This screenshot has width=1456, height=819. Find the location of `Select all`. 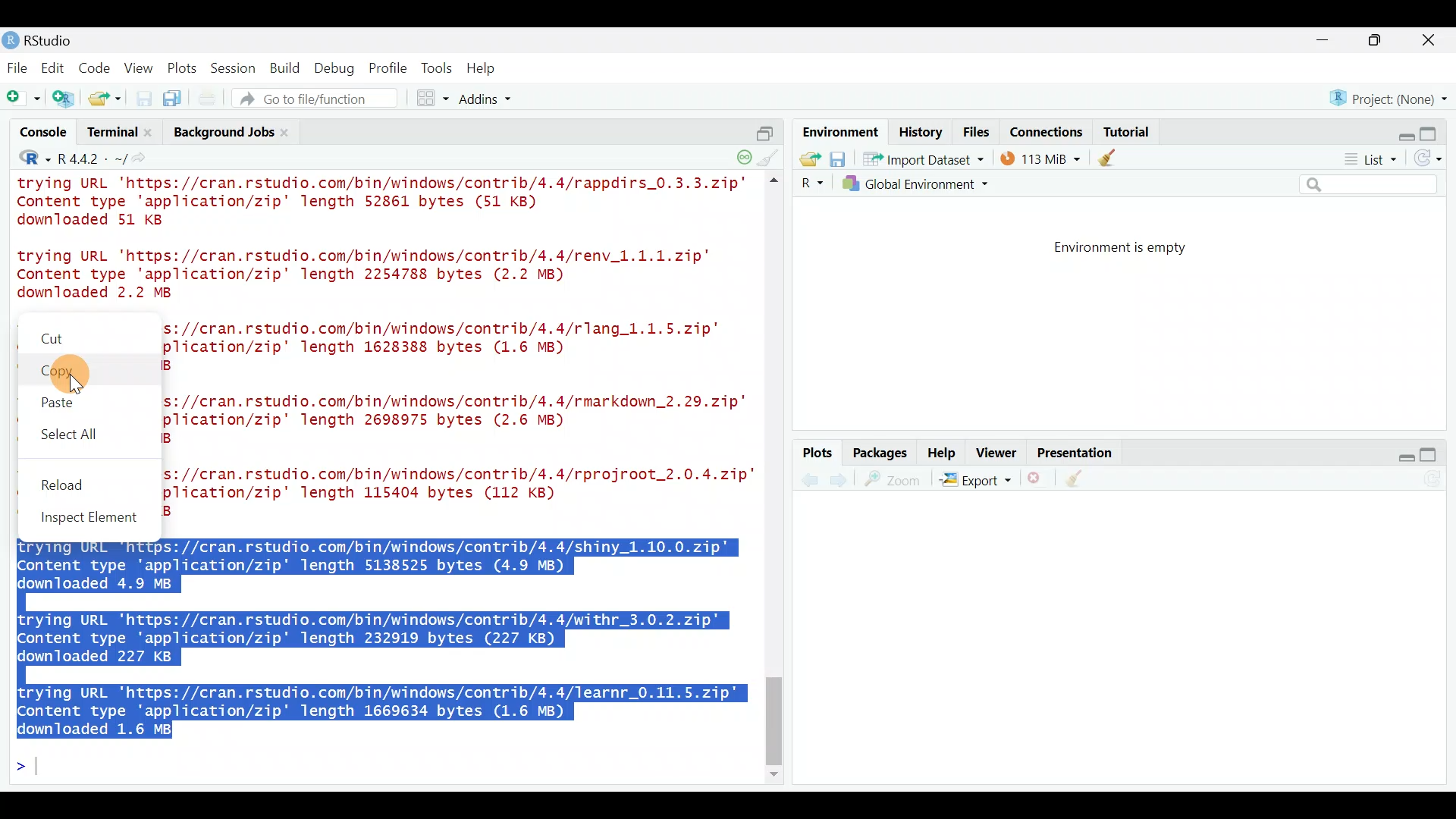

Select all is located at coordinates (80, 434).